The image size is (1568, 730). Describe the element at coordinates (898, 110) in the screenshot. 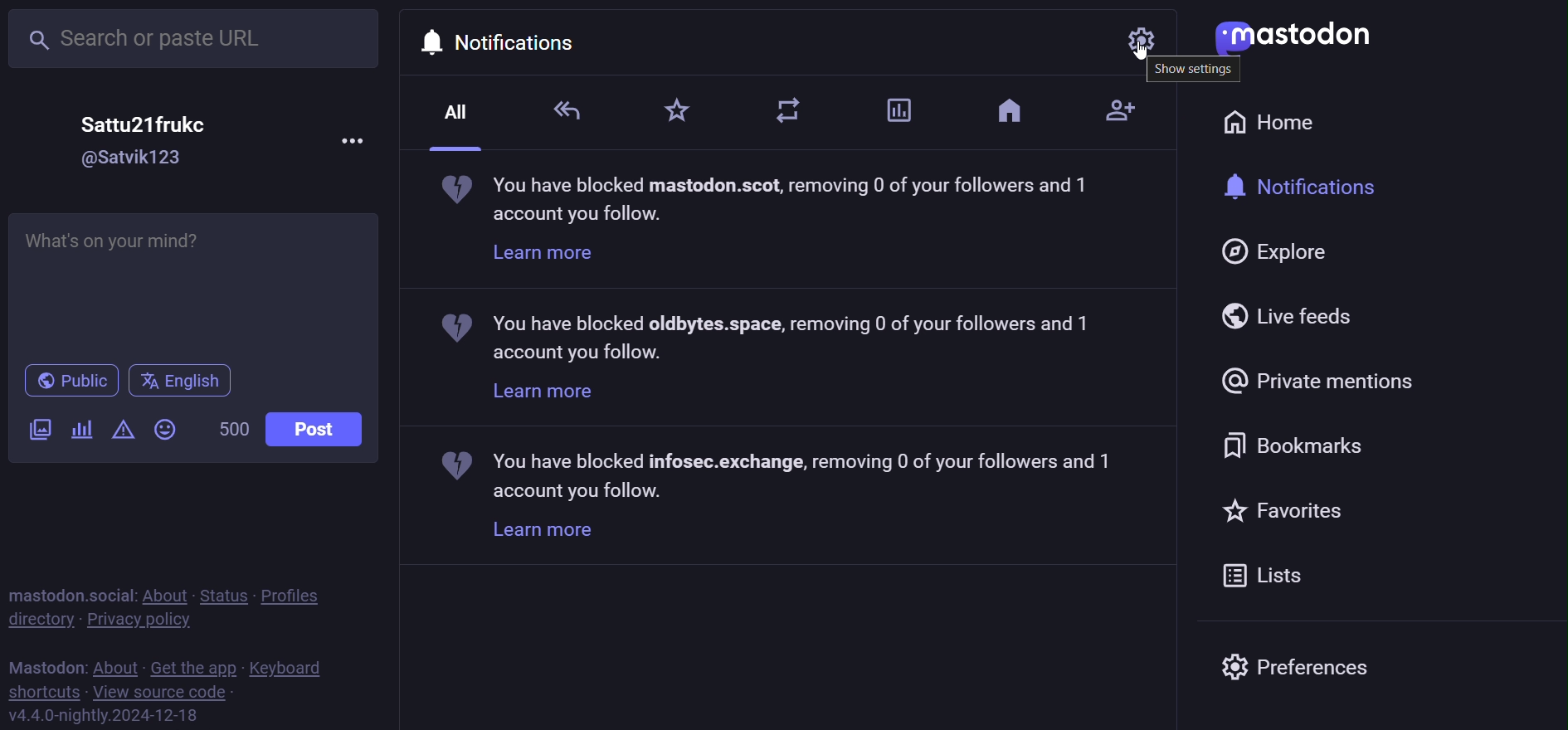

I see `poll` at that location.